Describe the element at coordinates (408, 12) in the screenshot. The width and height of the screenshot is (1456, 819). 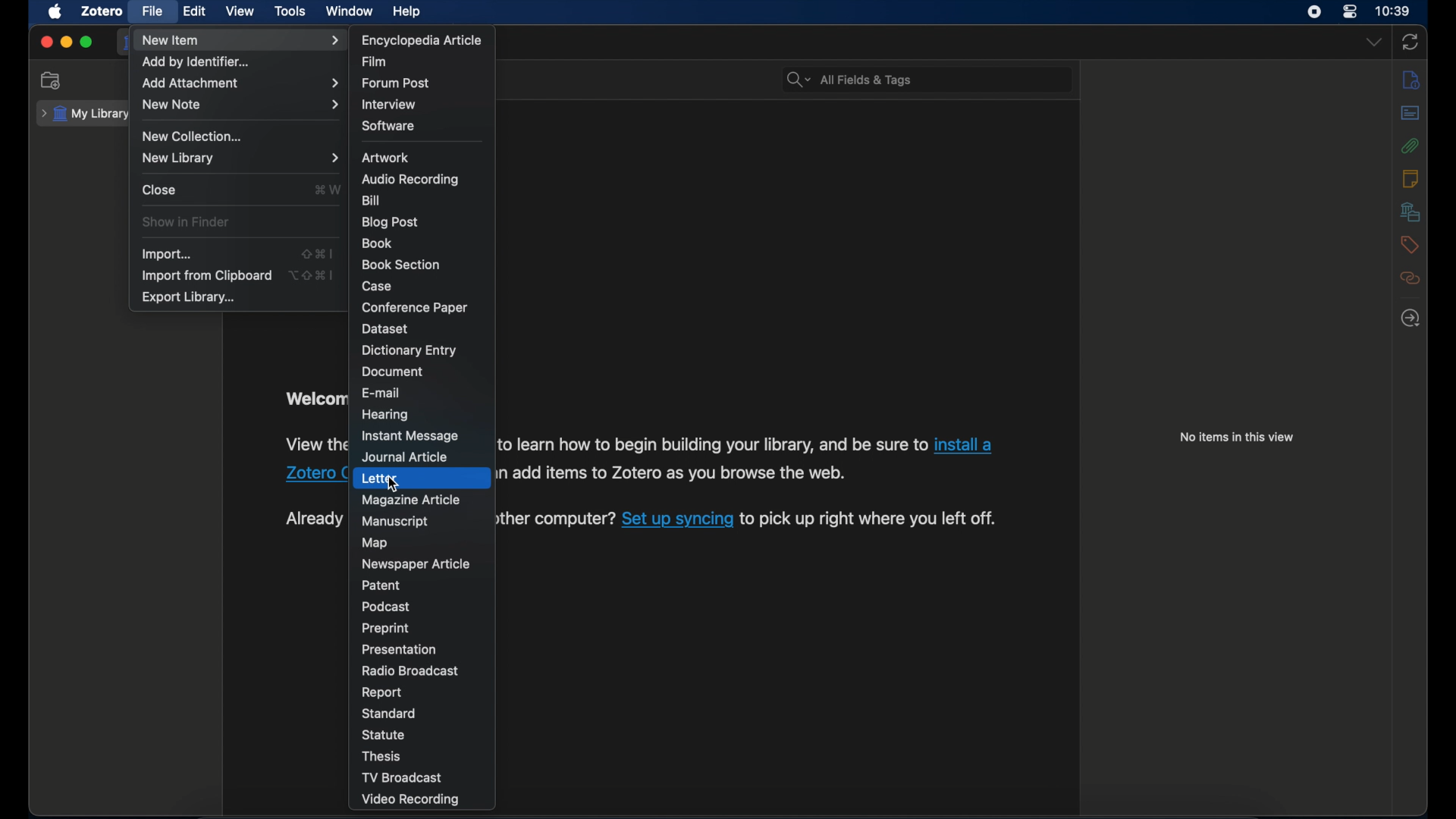
I see `help` at that location.